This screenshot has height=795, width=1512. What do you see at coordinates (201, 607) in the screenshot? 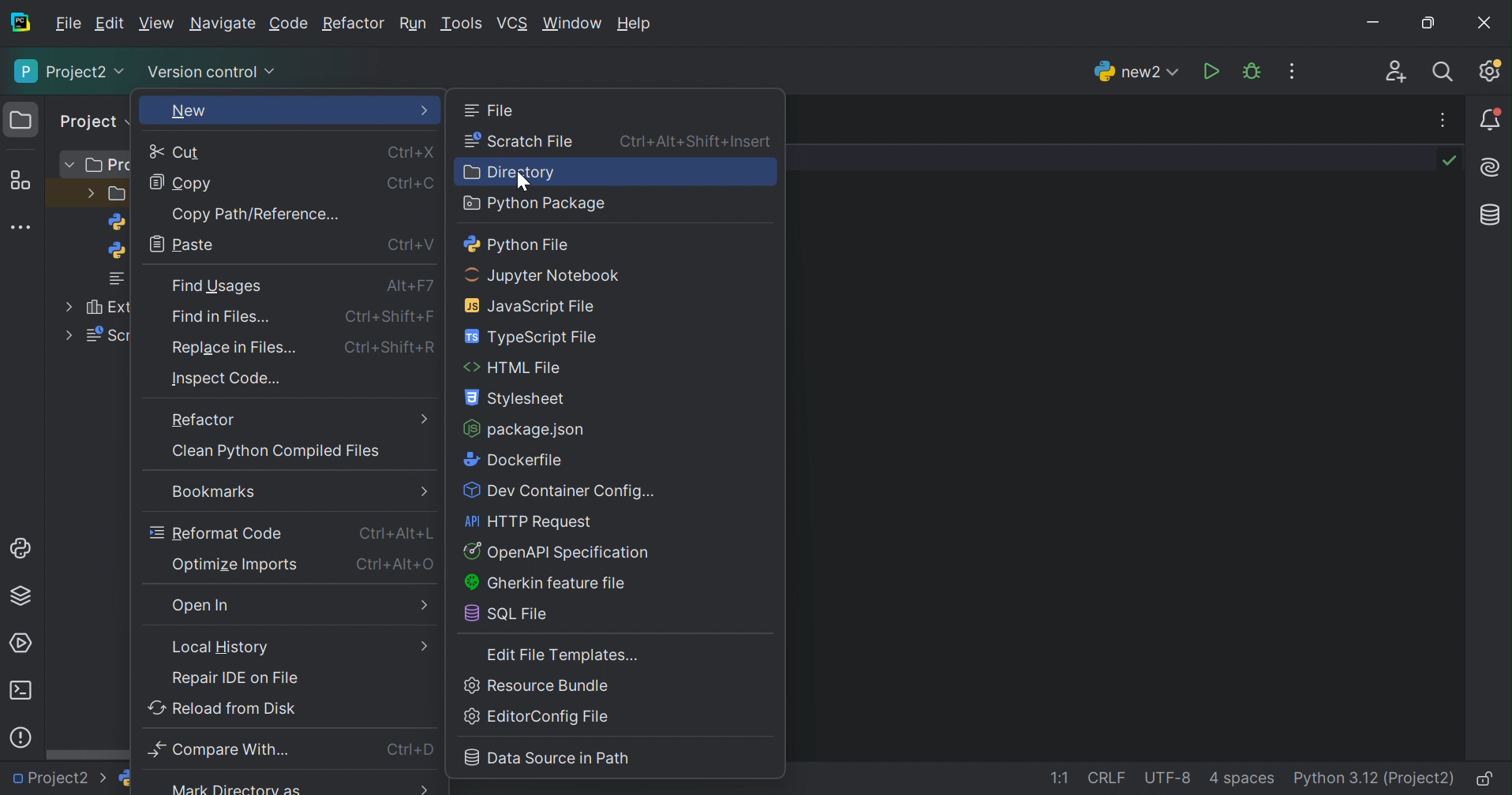
I see `Open in` at bounding box center [201, 607].